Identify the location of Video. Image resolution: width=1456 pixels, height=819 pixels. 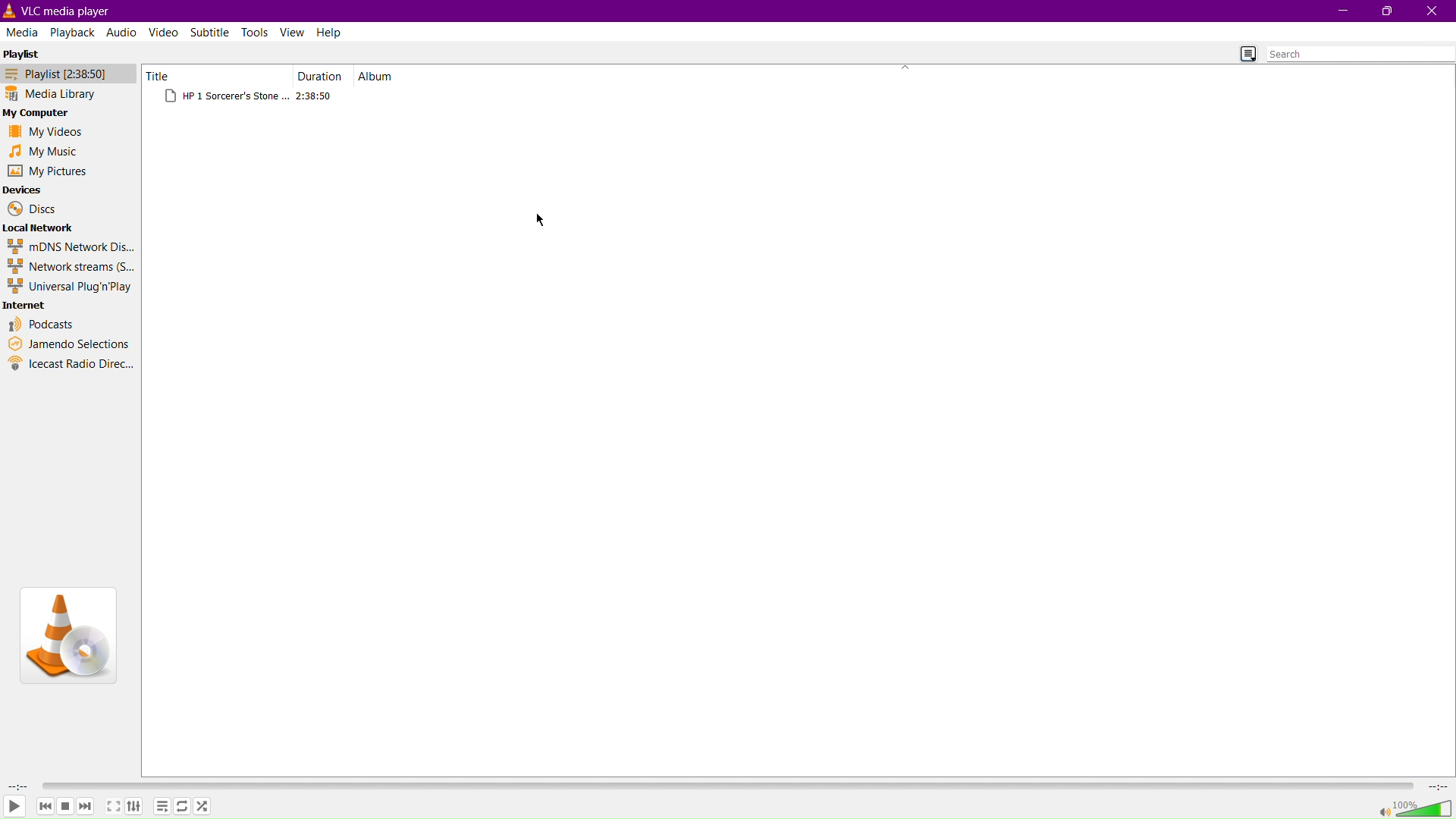
(165, 32).